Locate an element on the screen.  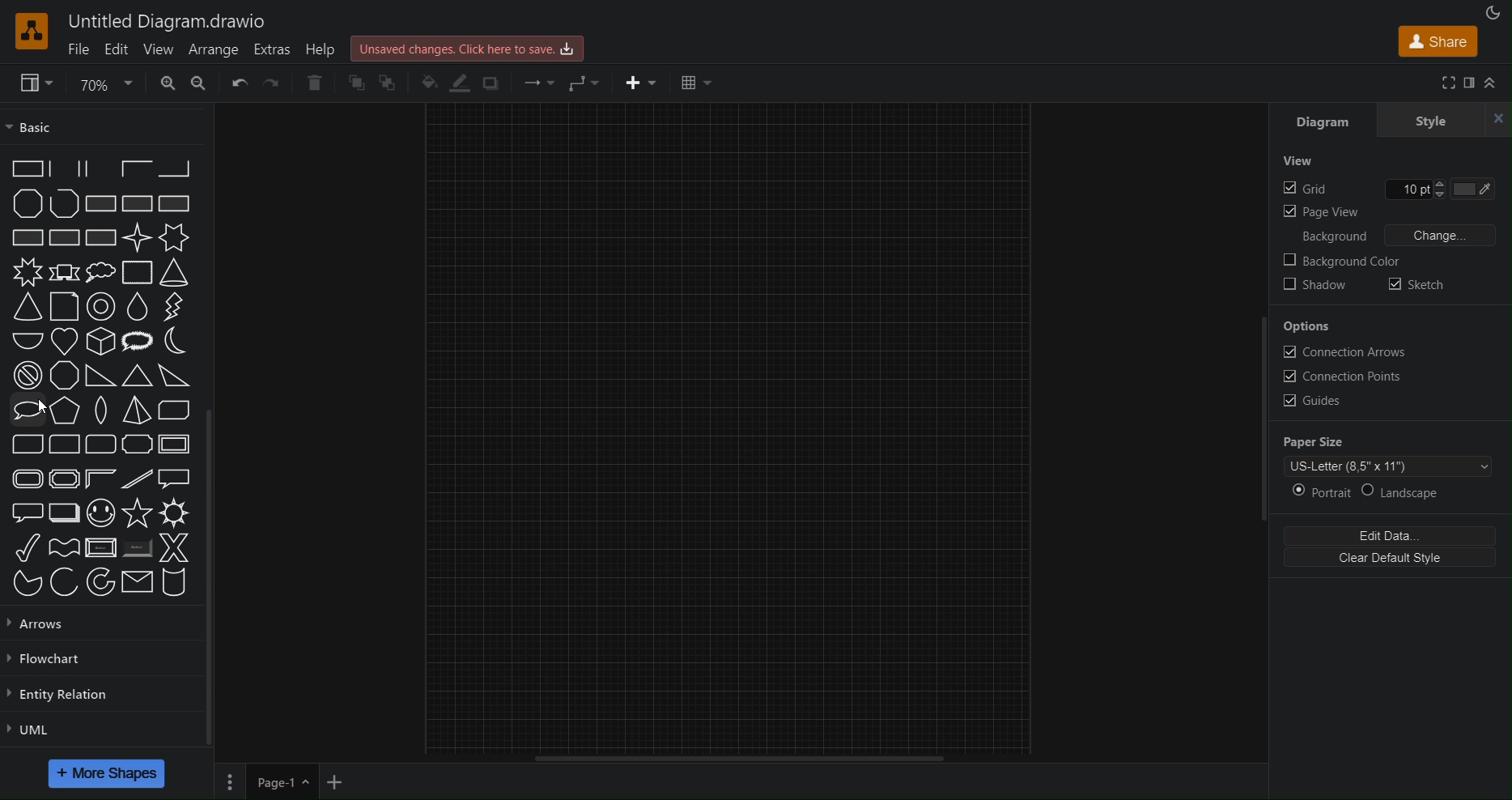
Unsaved changes. Click here to save. is located at coordinates (468, 48).